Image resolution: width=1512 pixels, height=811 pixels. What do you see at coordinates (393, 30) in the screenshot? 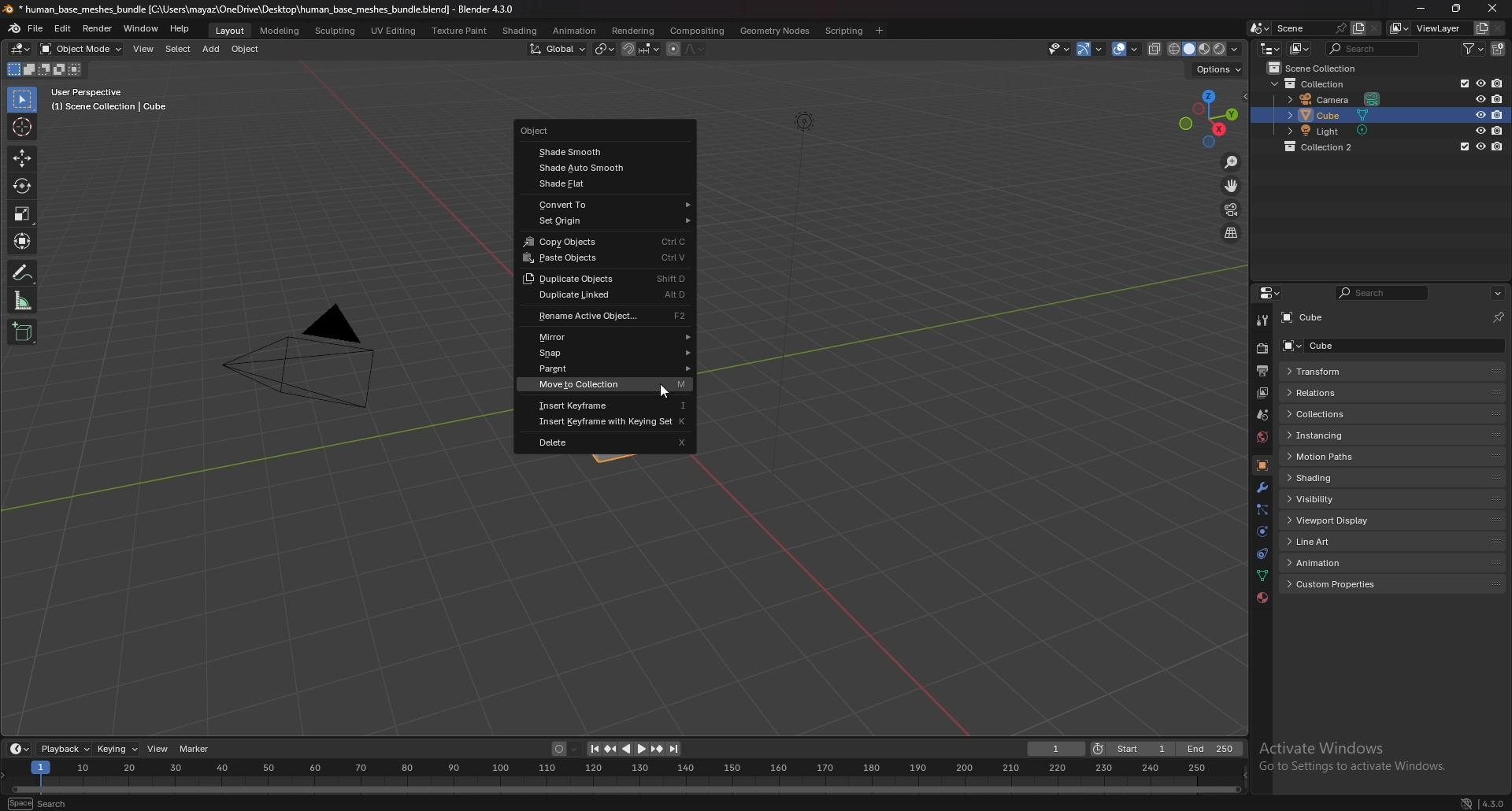
I see `uv editing` at bounding box center [393, 30].